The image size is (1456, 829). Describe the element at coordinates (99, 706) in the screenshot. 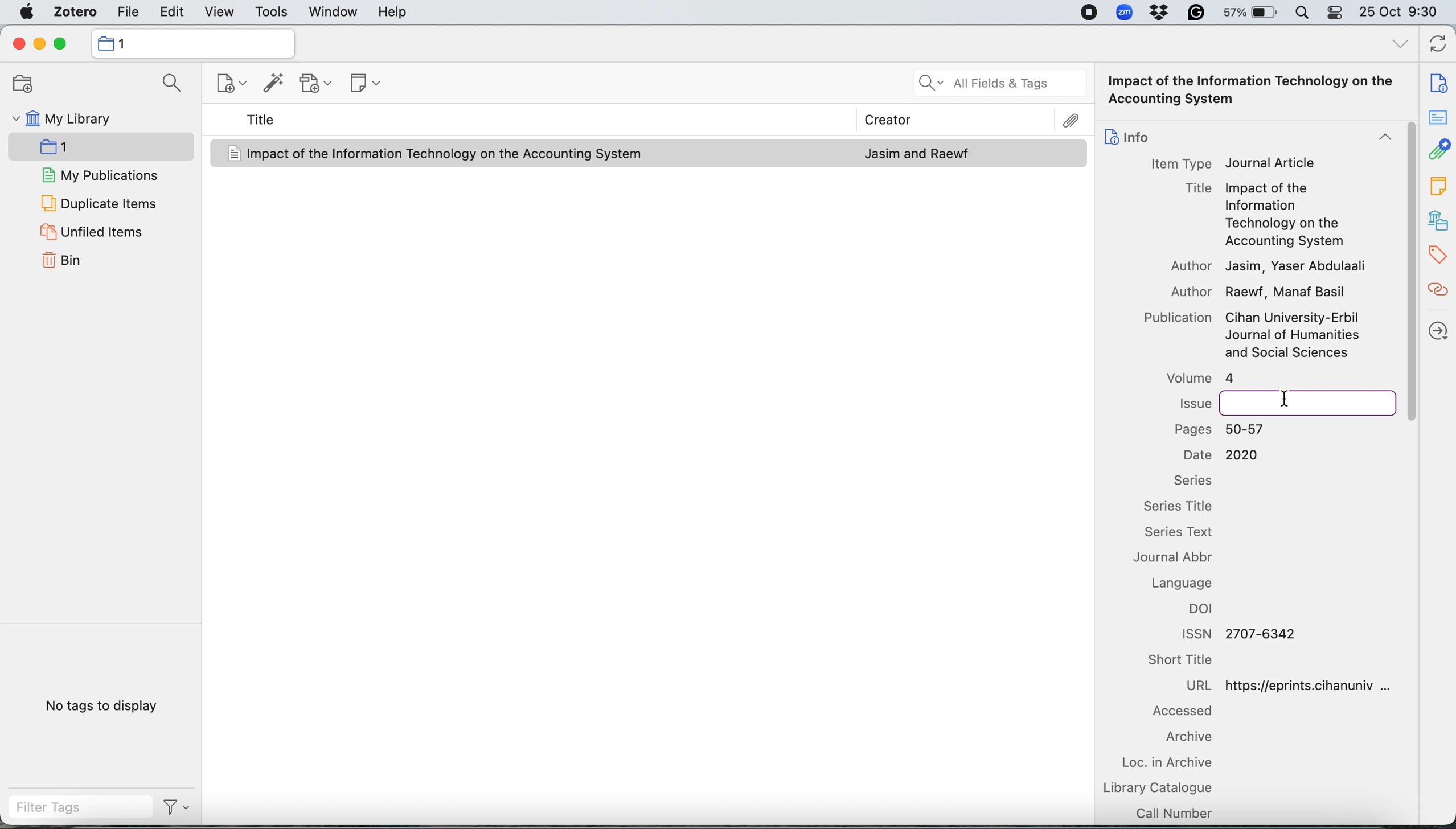

I see `no tags to display` at that location.